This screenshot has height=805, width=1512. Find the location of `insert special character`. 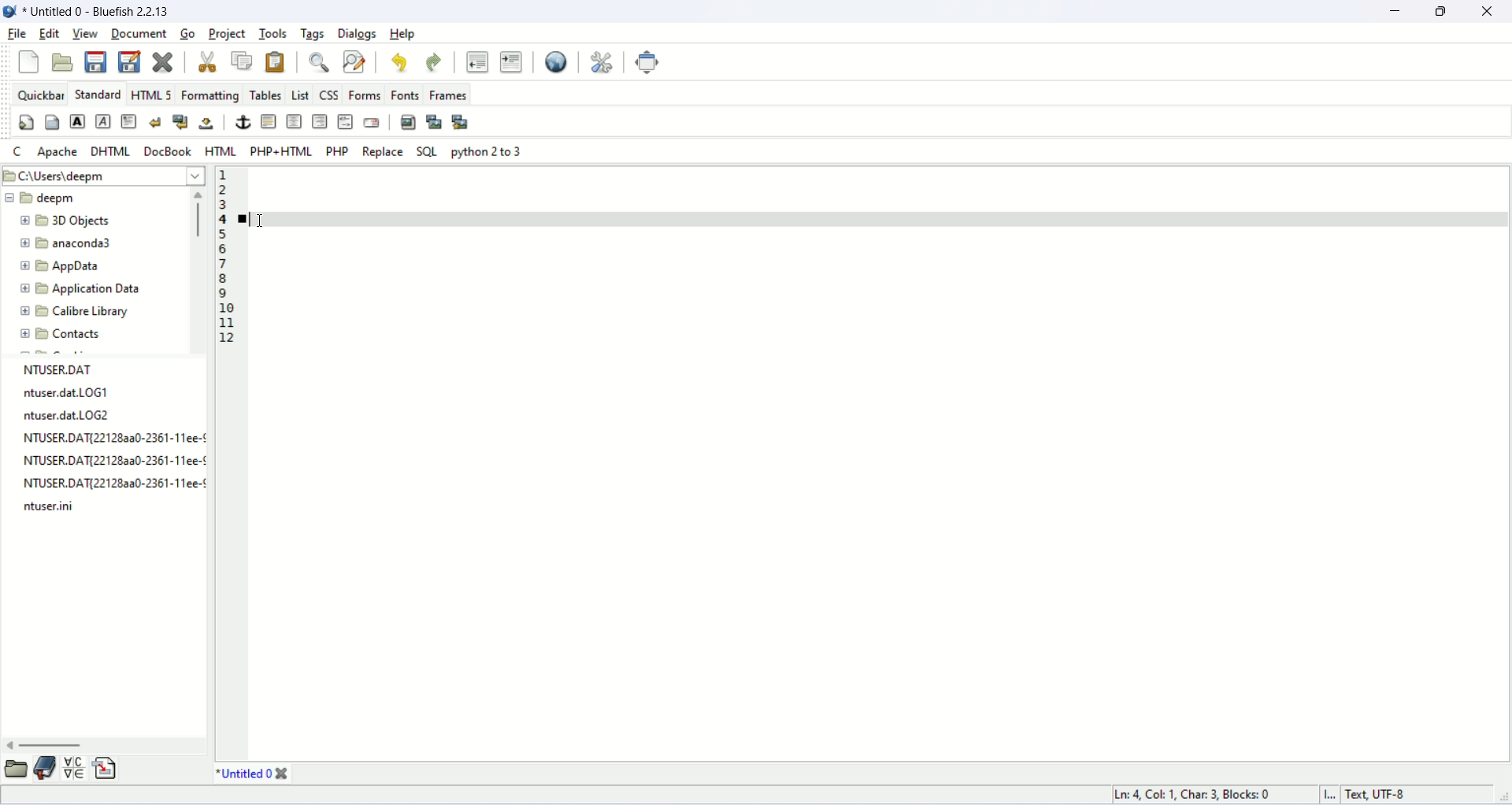

insert special character is located at coordinates (73, 770).